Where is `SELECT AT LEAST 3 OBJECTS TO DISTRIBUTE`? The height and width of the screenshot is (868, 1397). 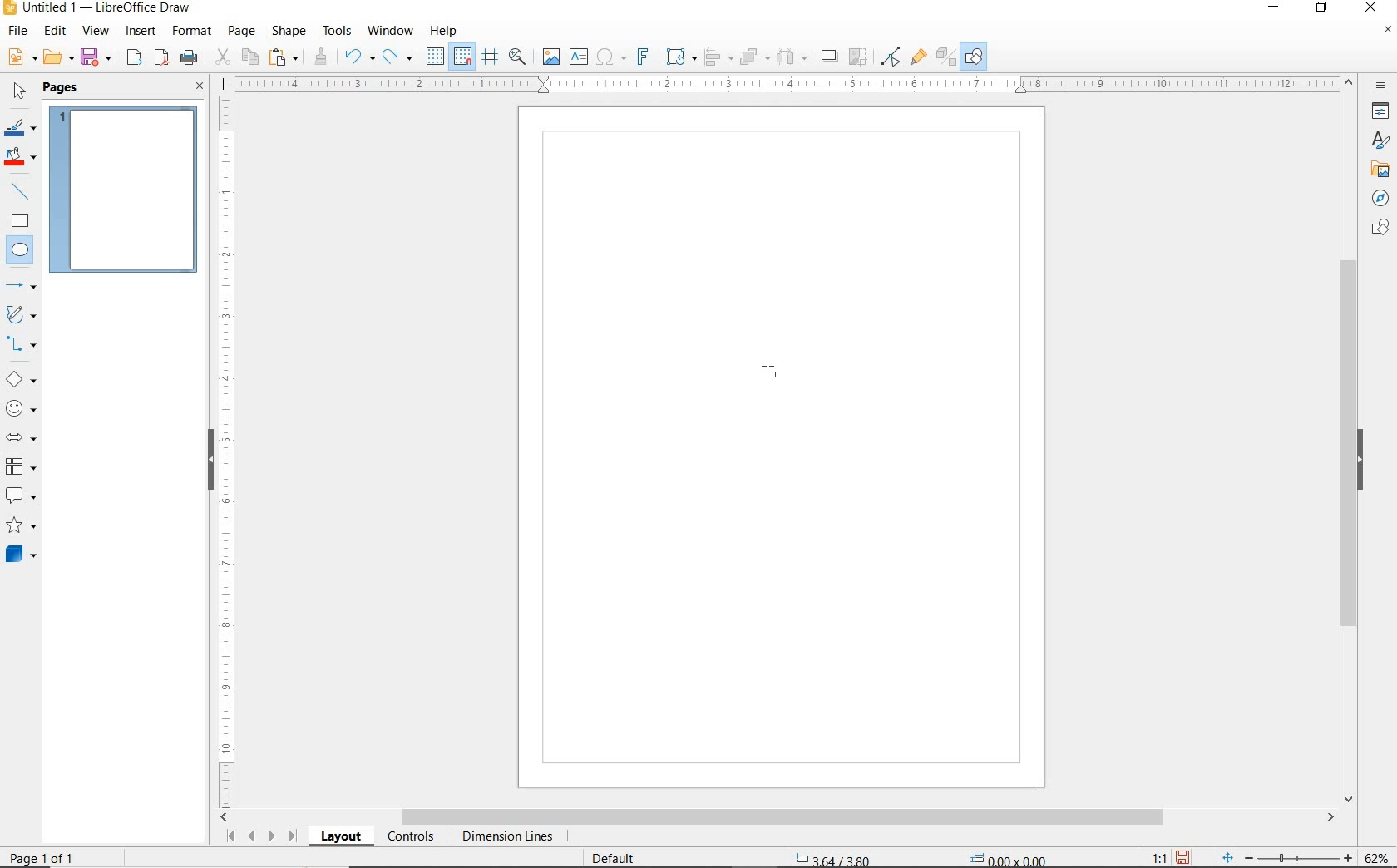
SELECT AT LEAST 3 OBJECTS TO DISTRIBUTE is located at coordinates (792, 56).